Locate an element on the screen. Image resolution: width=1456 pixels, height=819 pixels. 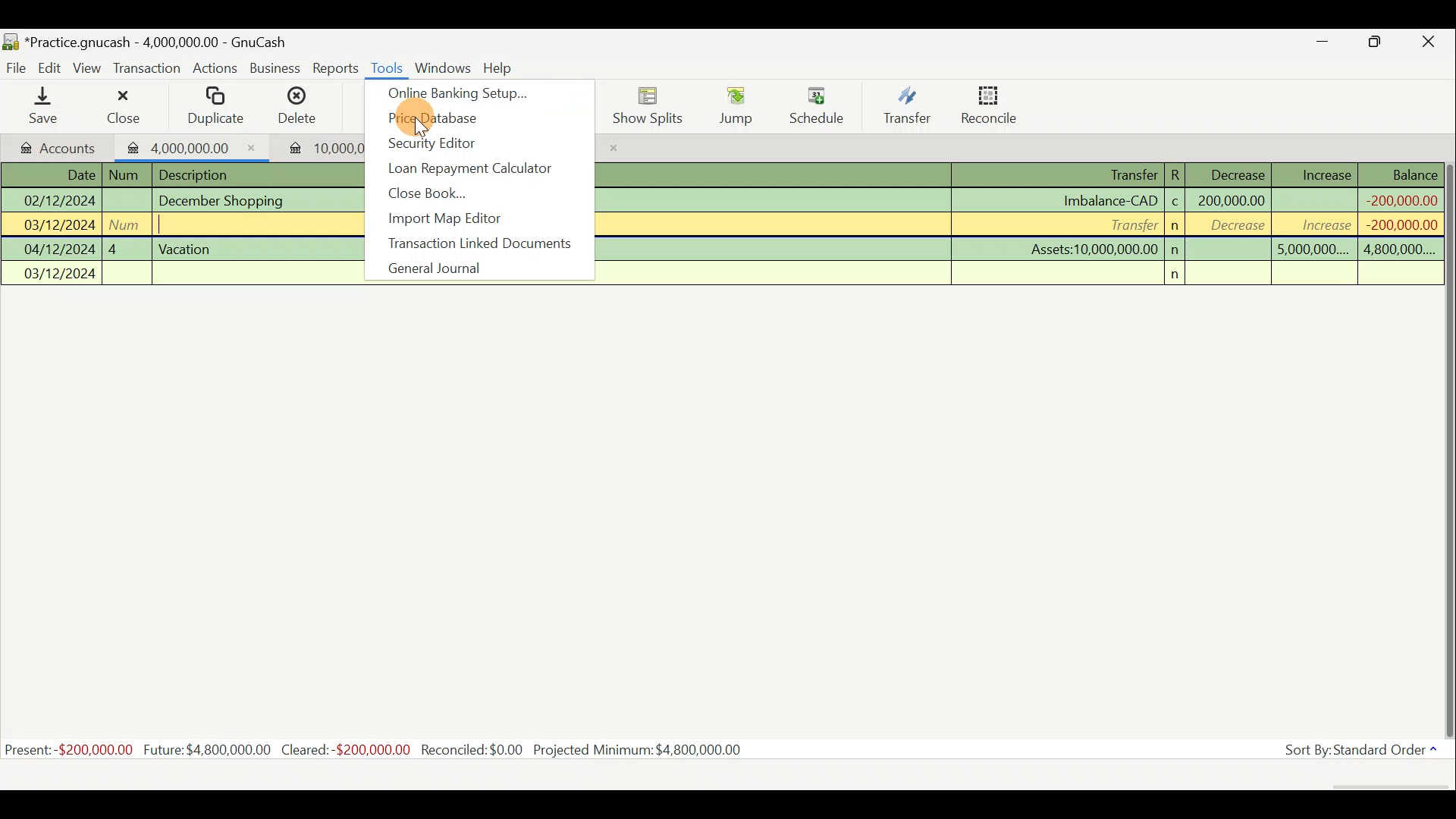
Security editor is located at coordinates (451, 141).